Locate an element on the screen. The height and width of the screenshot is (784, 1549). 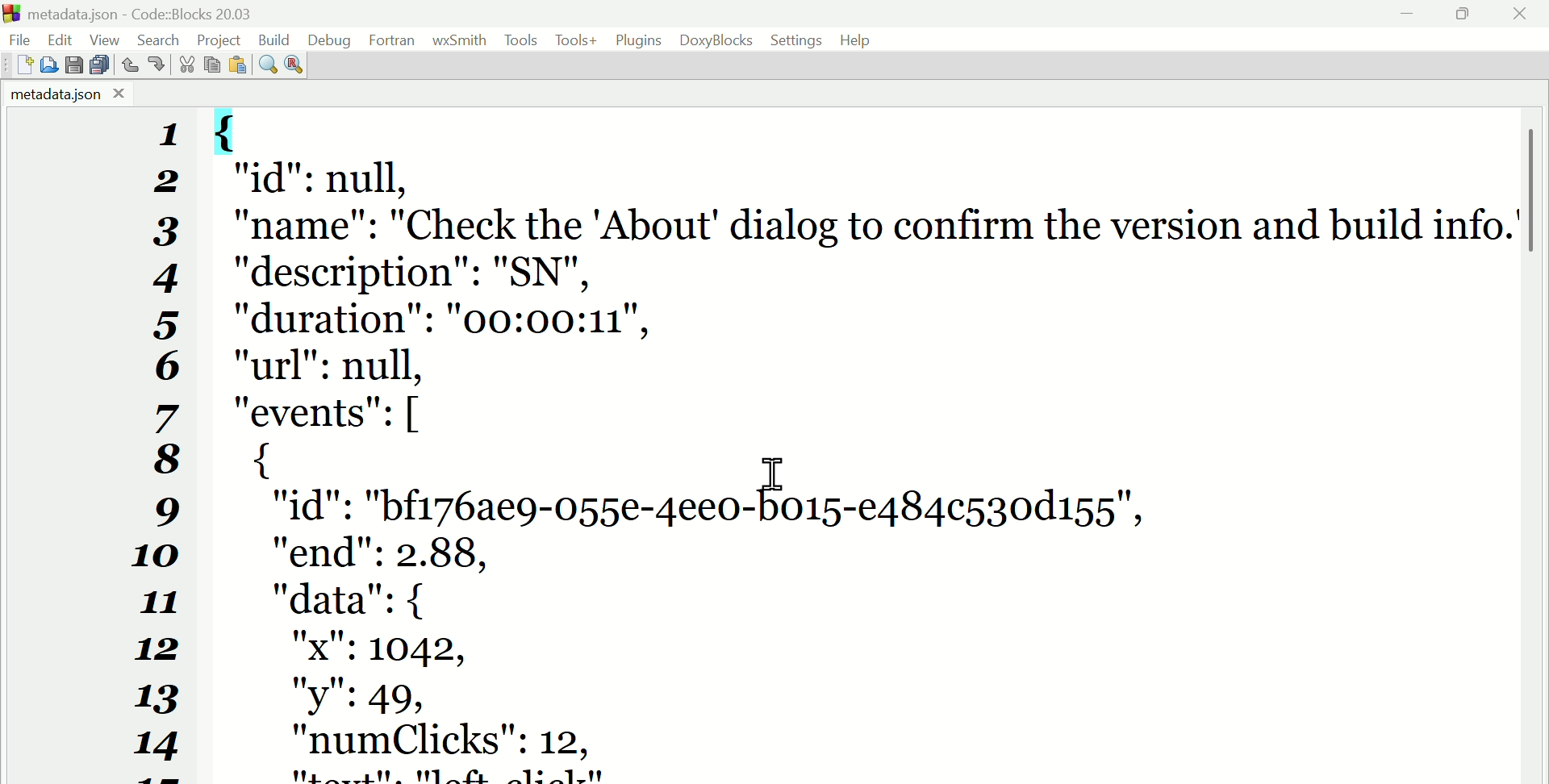
Help is located at coordinates (860, 40).